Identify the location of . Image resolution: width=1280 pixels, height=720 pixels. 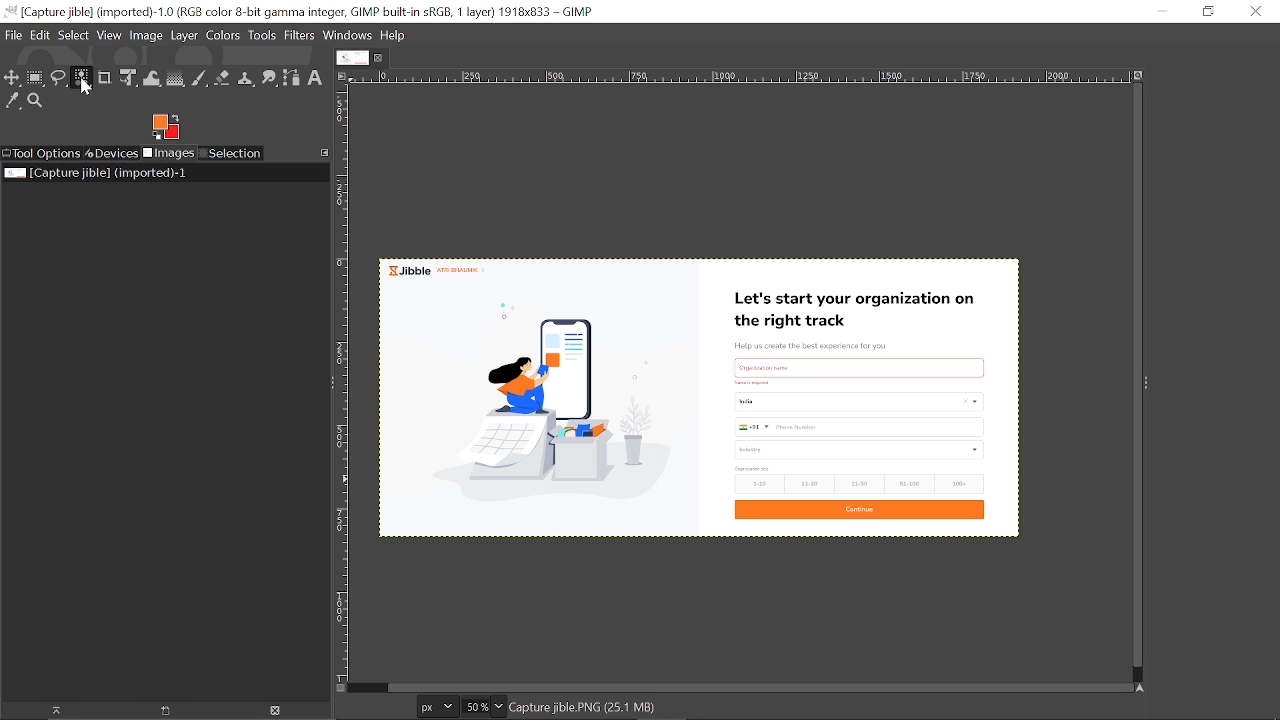
(393, 36).